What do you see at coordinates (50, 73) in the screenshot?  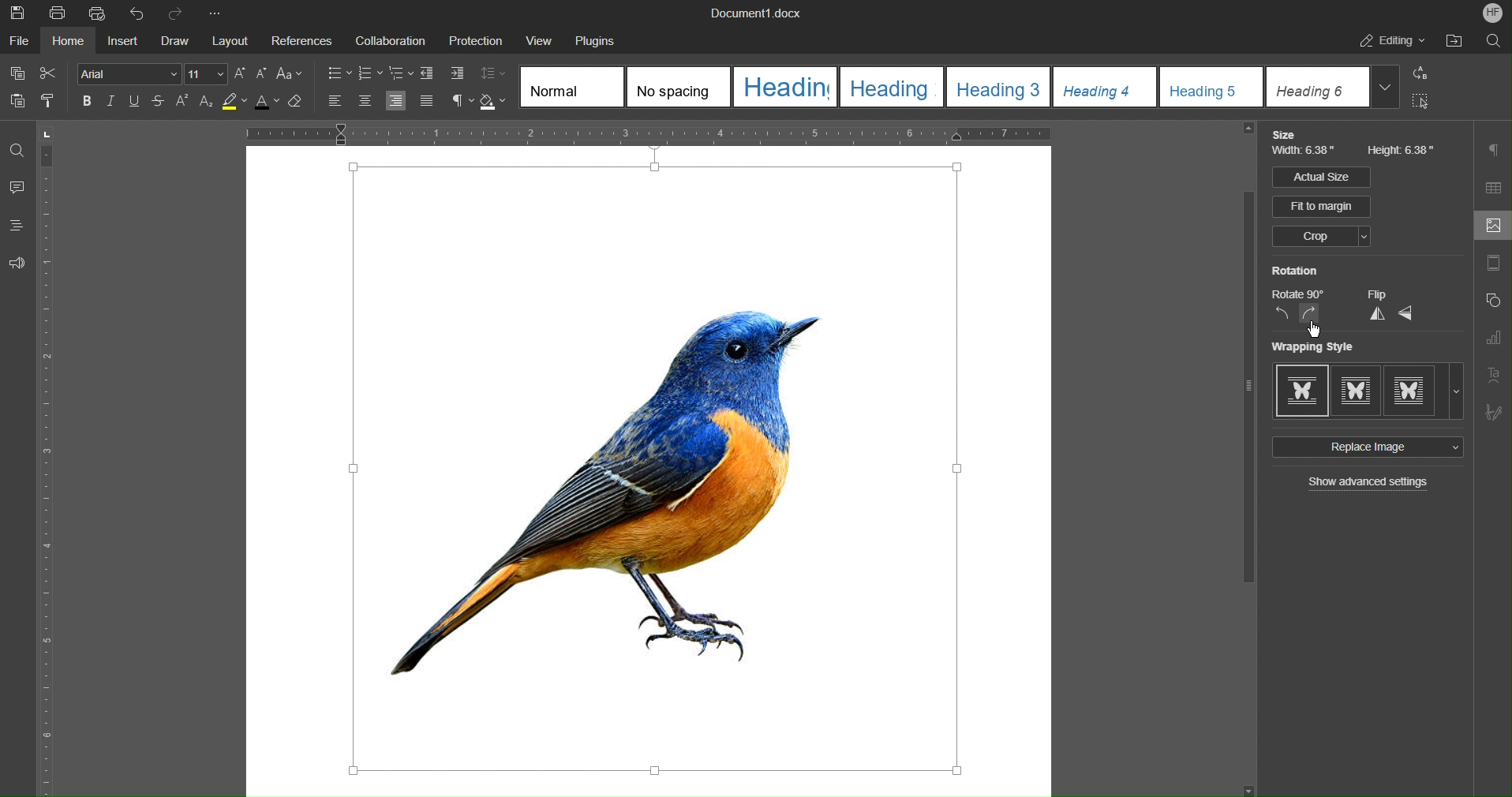 I see `Cut` at bounding box center [50, 73].